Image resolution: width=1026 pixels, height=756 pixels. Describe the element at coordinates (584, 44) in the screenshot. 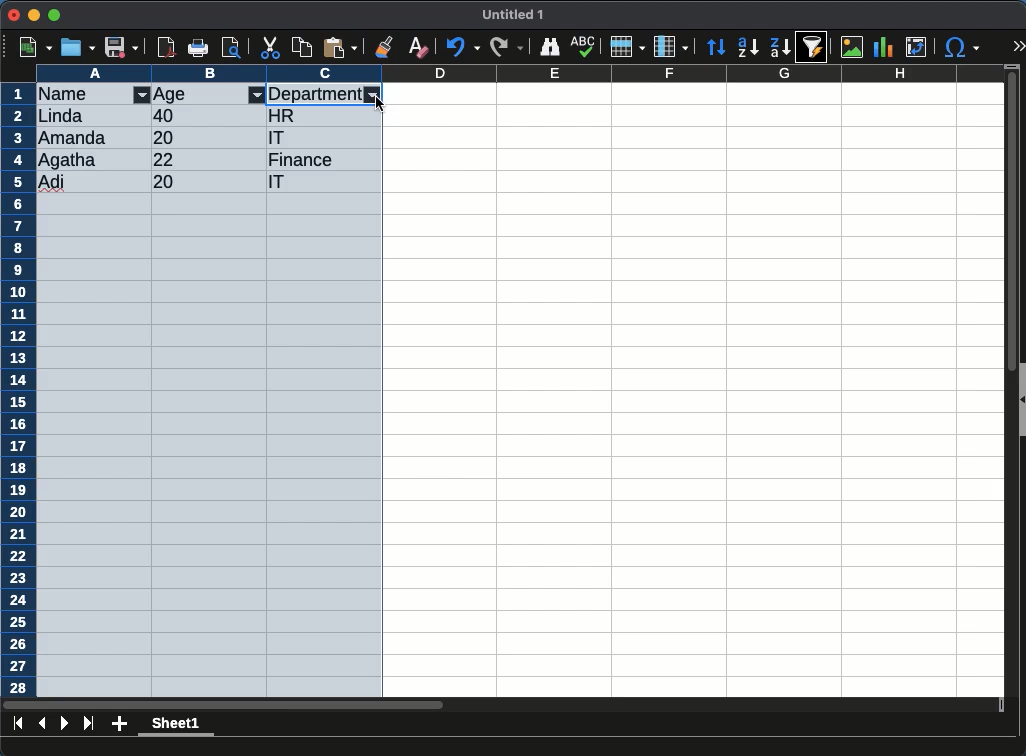

I see `spell check` at that location.